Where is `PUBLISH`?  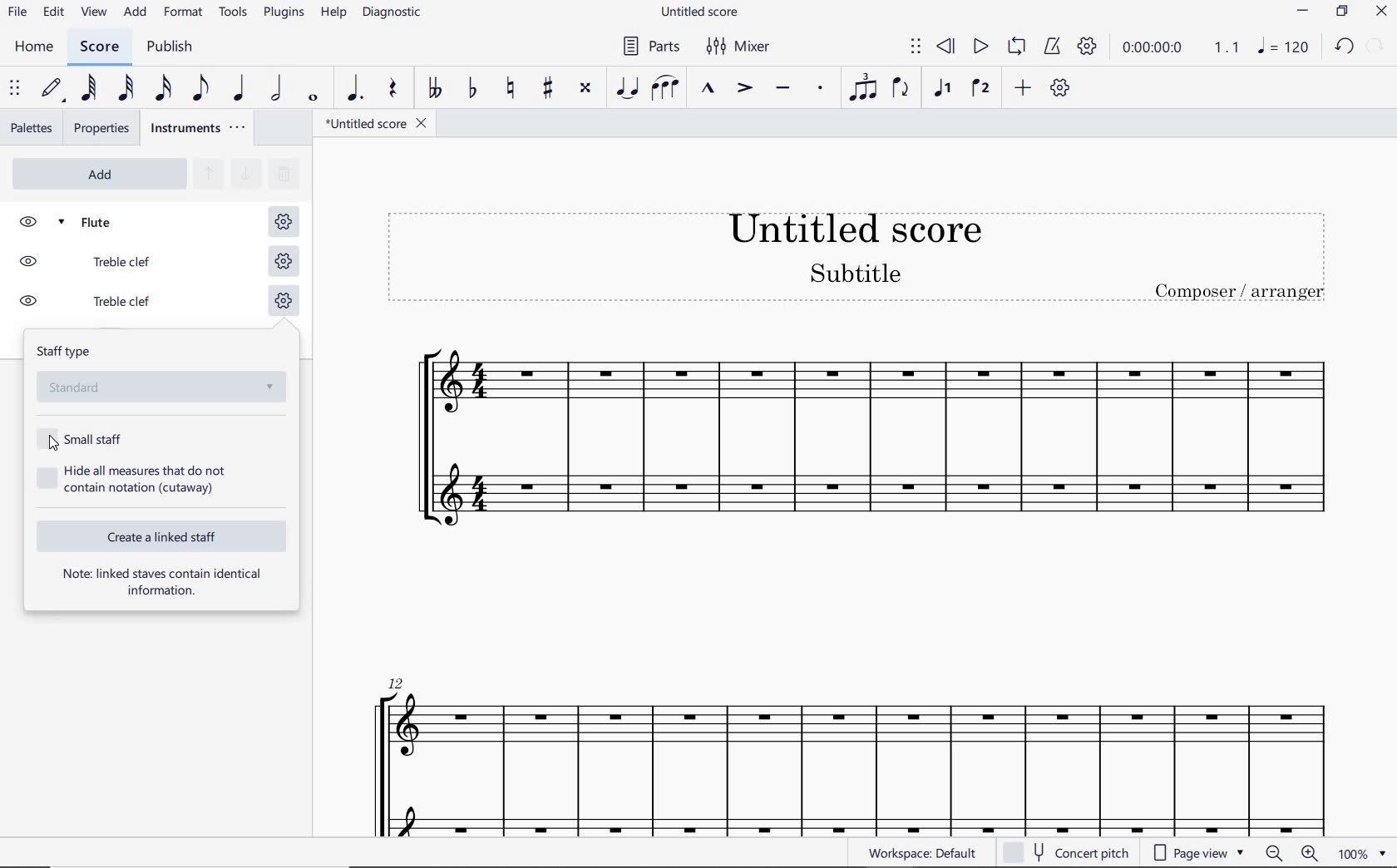
PUBLISH is located at coordinates (175, 49).